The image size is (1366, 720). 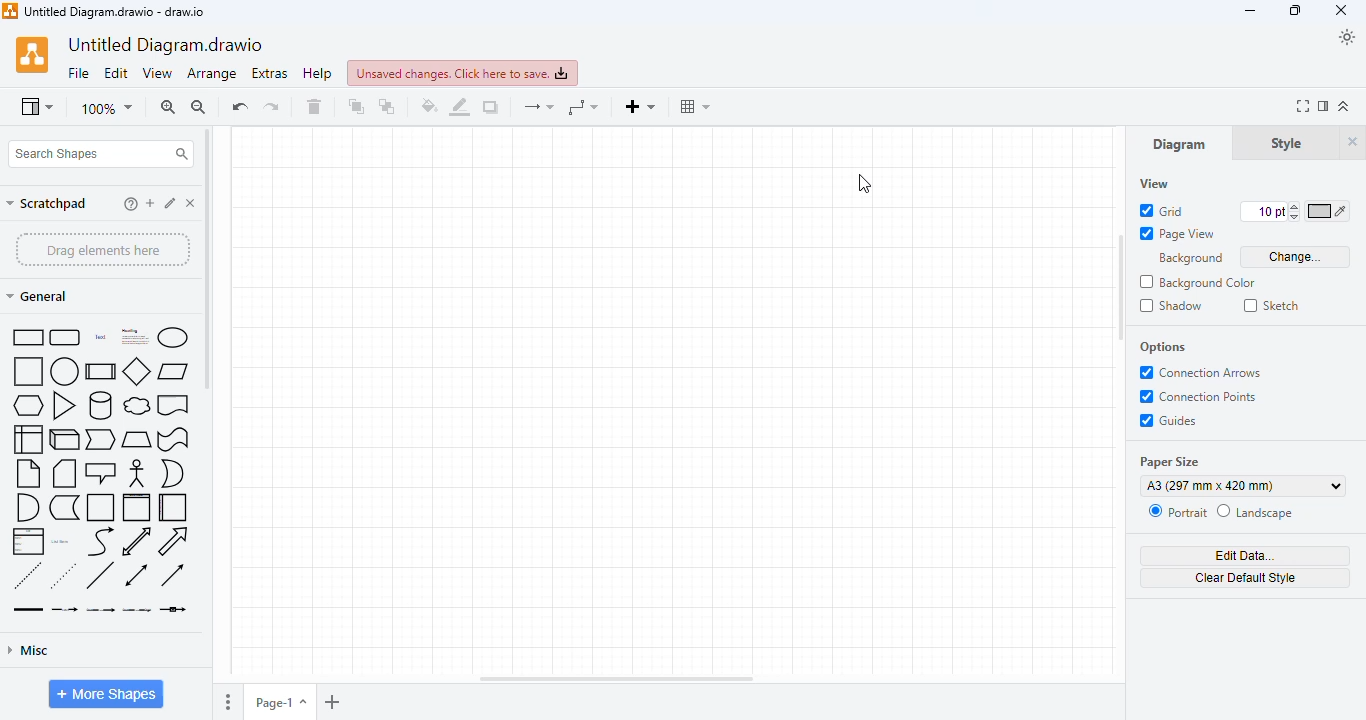 What do you see at coordinates (101, 473) in the screenshot?
I see `callout` at bounding box center [101, 473].